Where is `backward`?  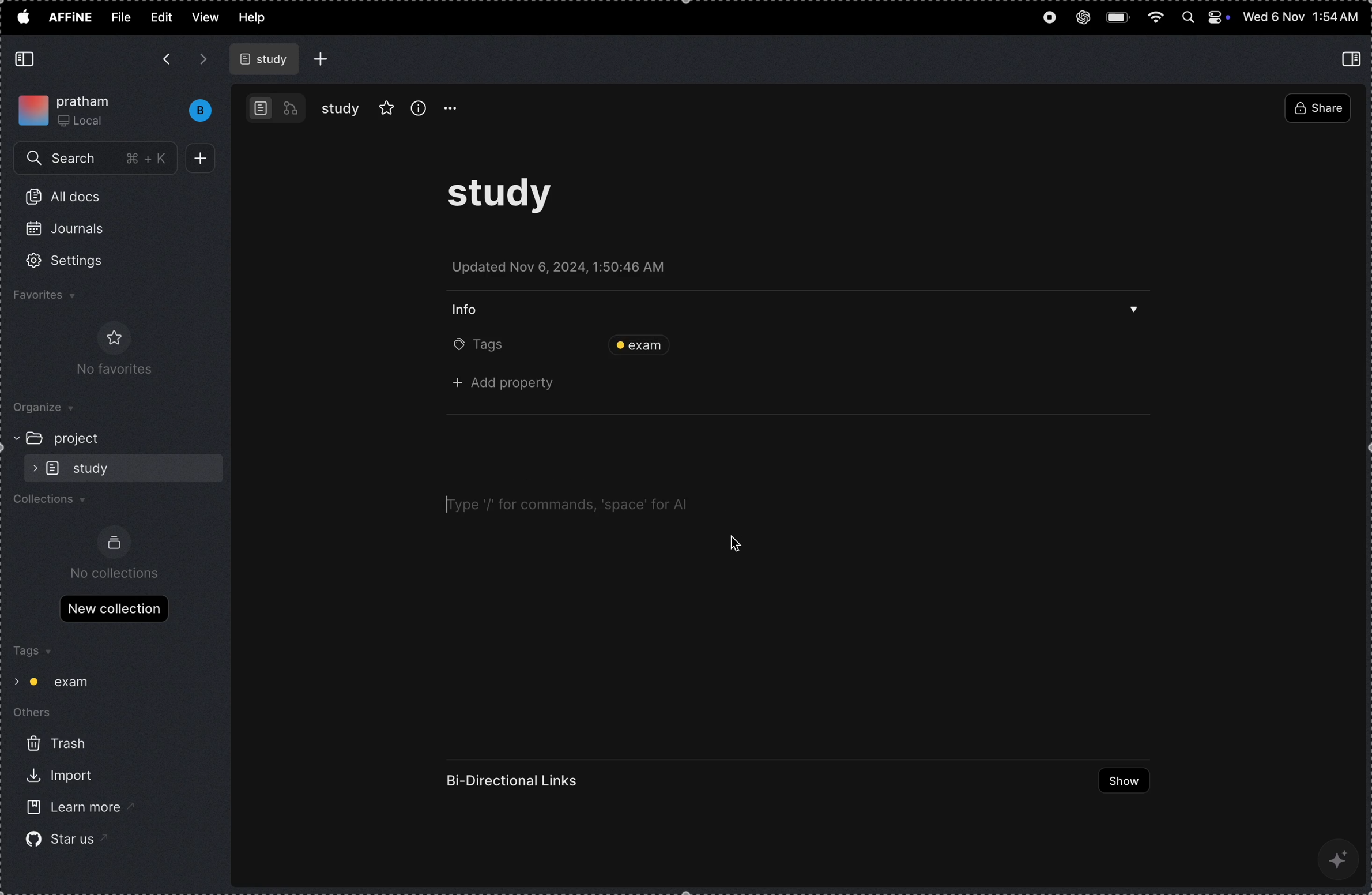
backward is located at coordinates (165, 61).